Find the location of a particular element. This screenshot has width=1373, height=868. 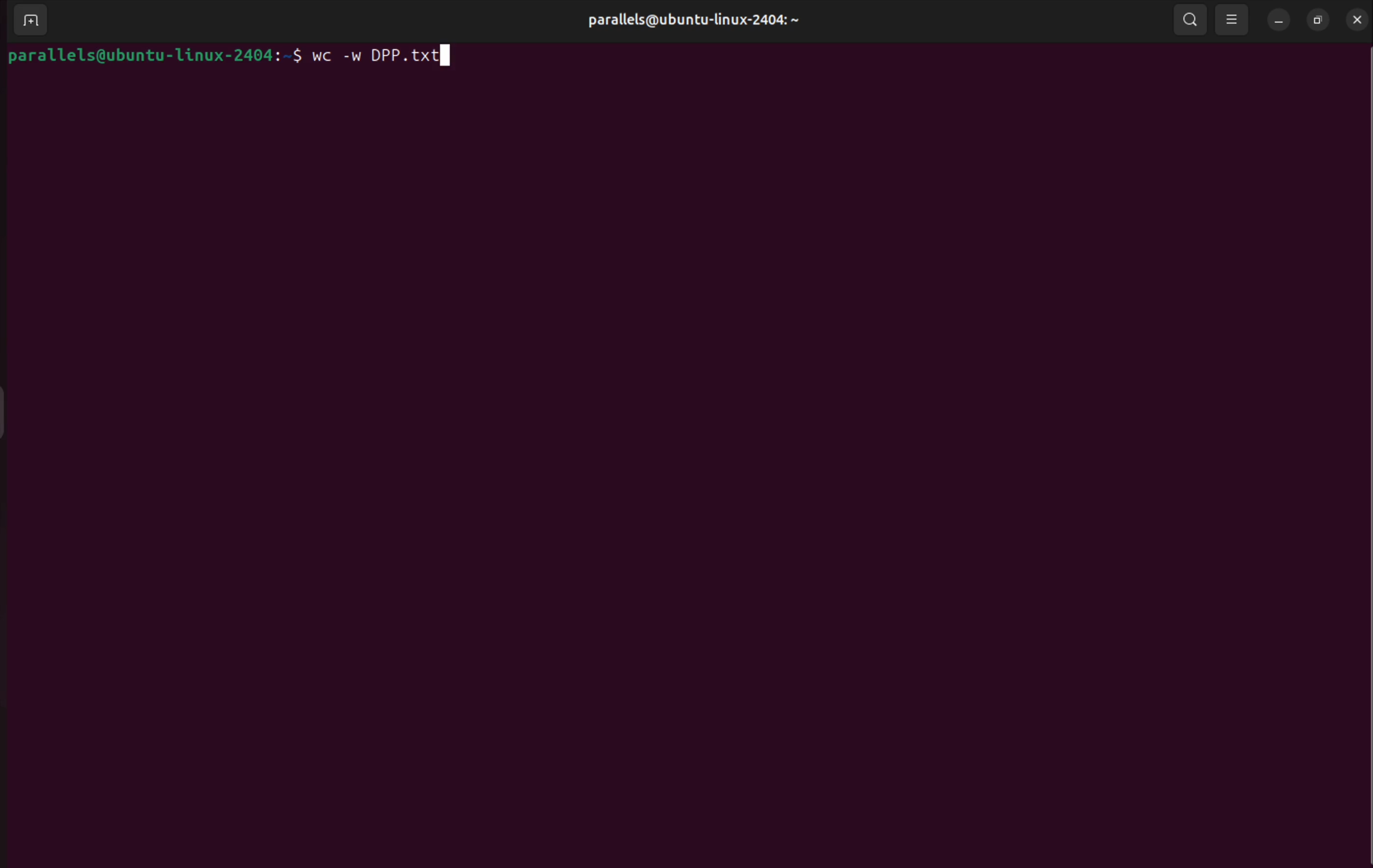

search bar is located at coordinates (1191, 21).